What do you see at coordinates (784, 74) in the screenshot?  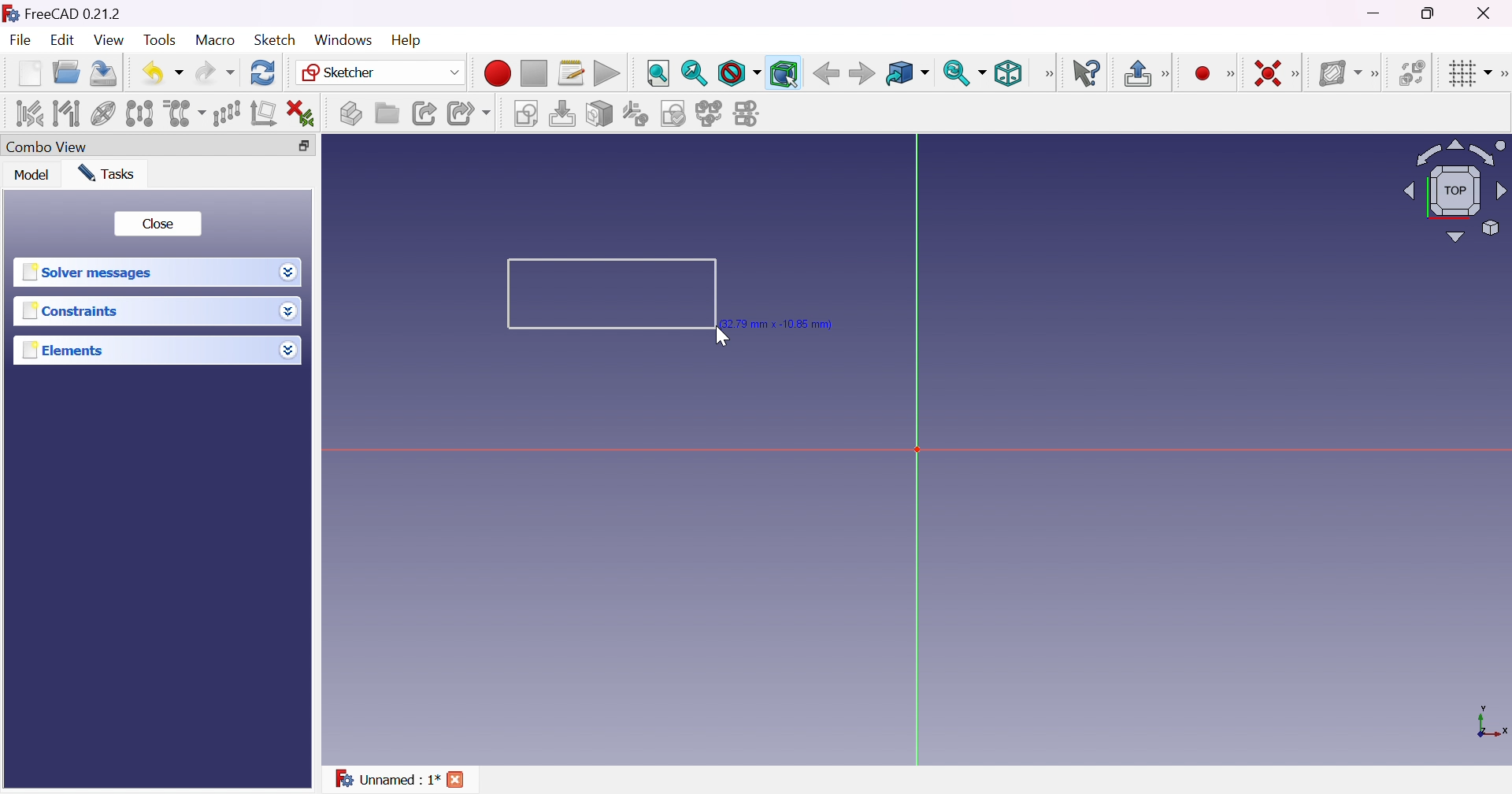 I see `Bounding box` at bounding box center [784, 74].